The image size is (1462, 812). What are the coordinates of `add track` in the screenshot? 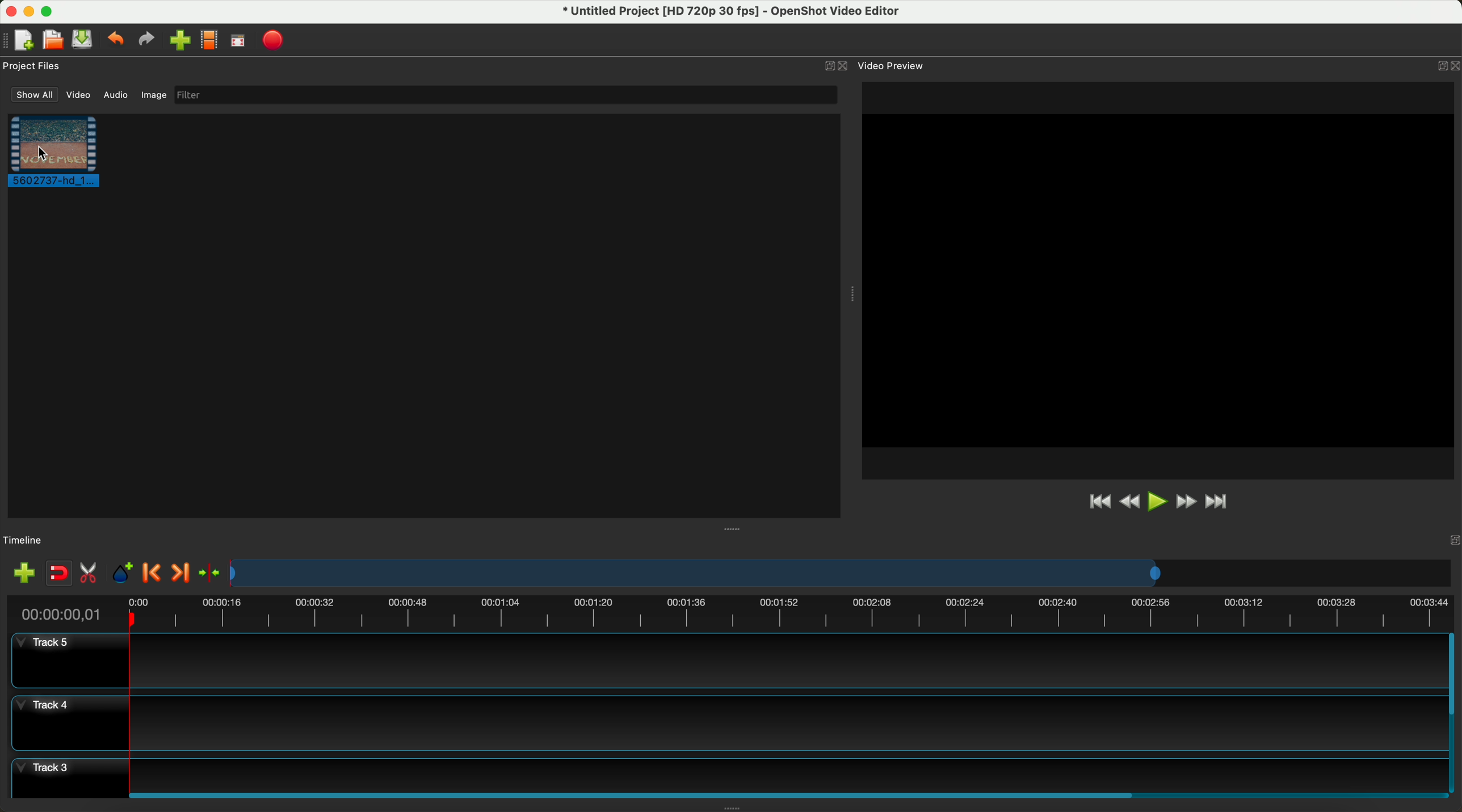 It's located at (24, 573).